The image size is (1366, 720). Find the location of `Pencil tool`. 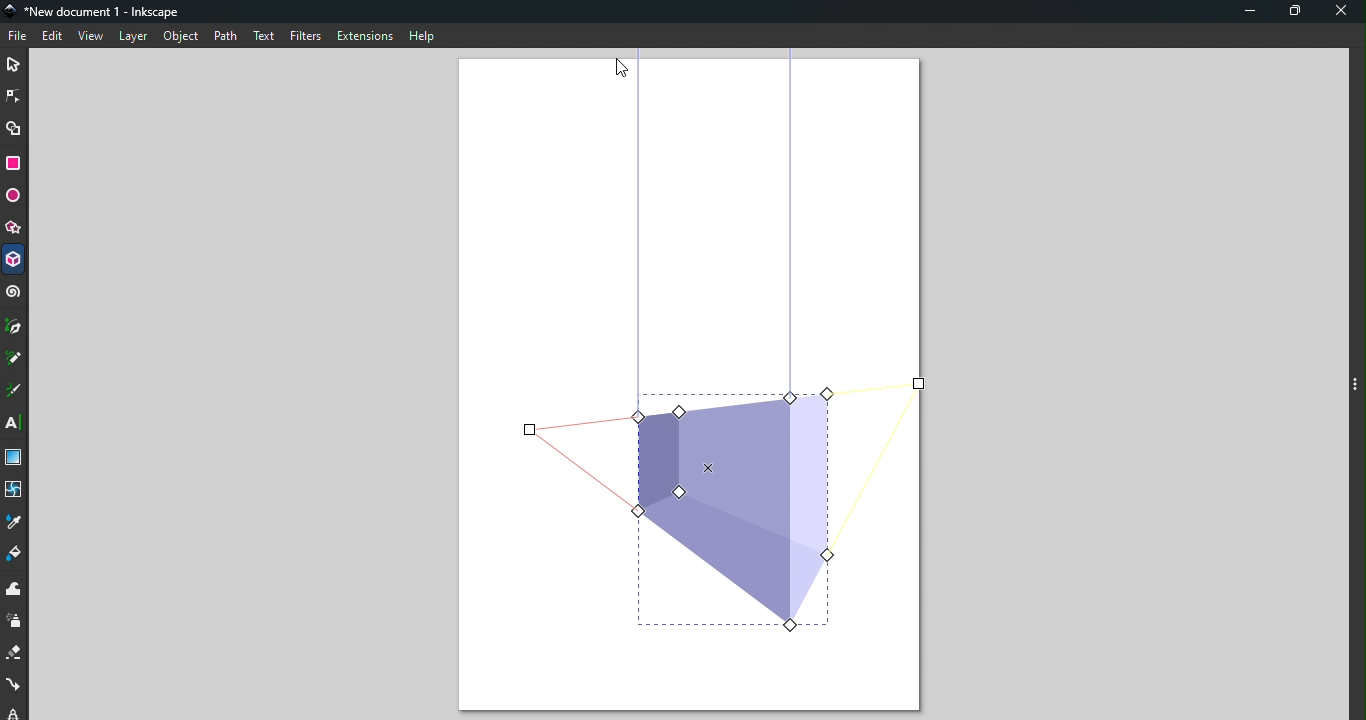

Pencil tool is located at coordinates (16, 358).